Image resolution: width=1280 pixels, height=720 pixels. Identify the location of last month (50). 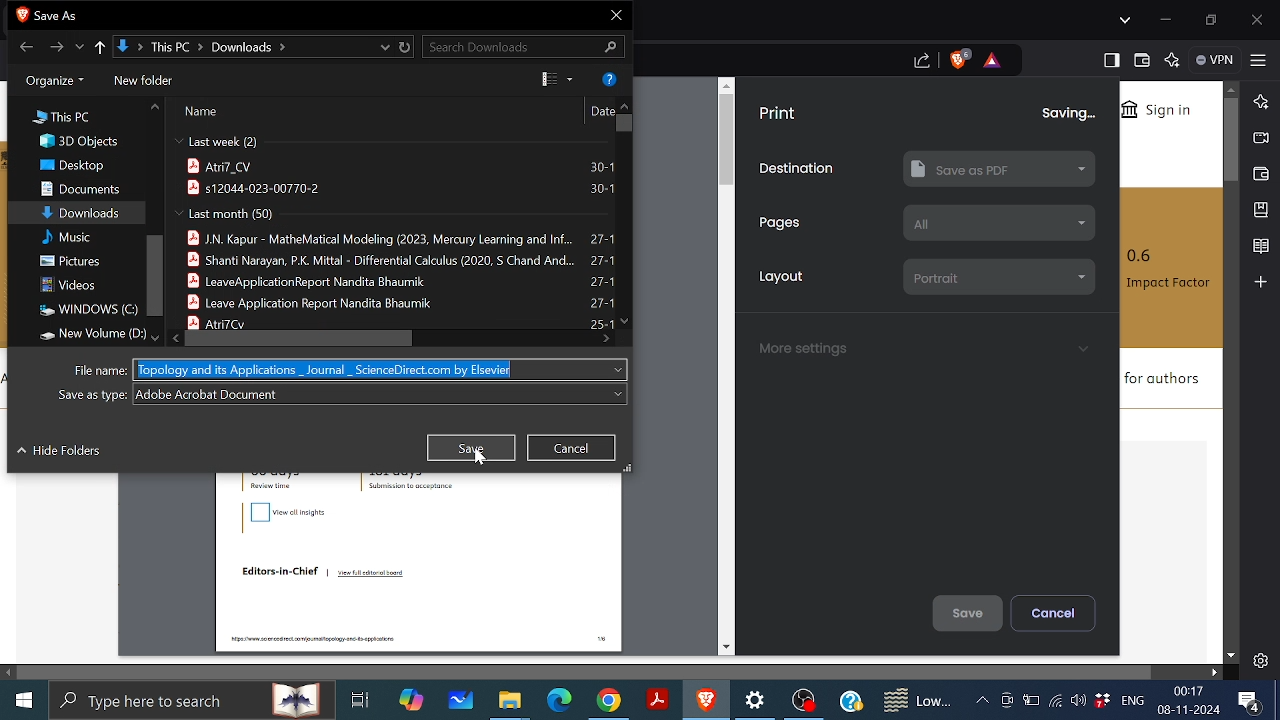
(232, 215).